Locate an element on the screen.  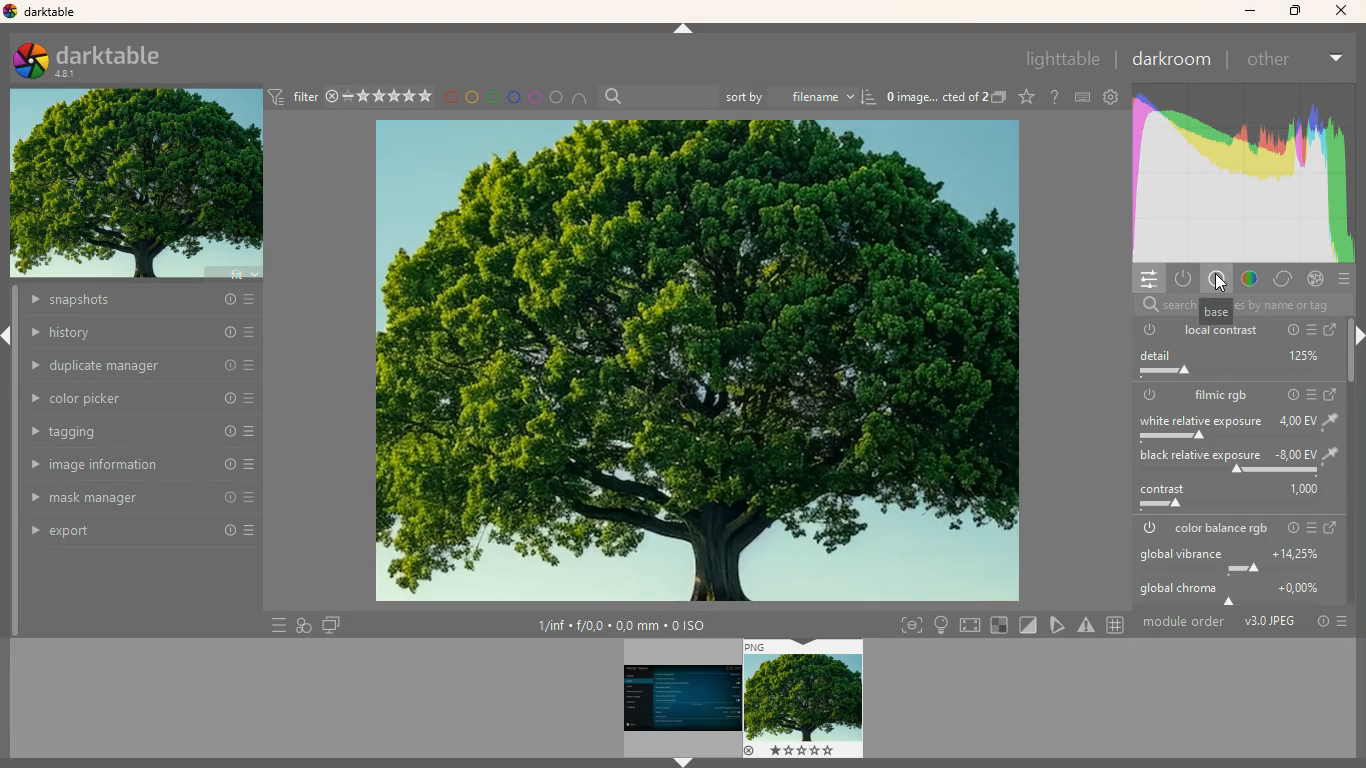
arrow is located at coordinates (683, 761).